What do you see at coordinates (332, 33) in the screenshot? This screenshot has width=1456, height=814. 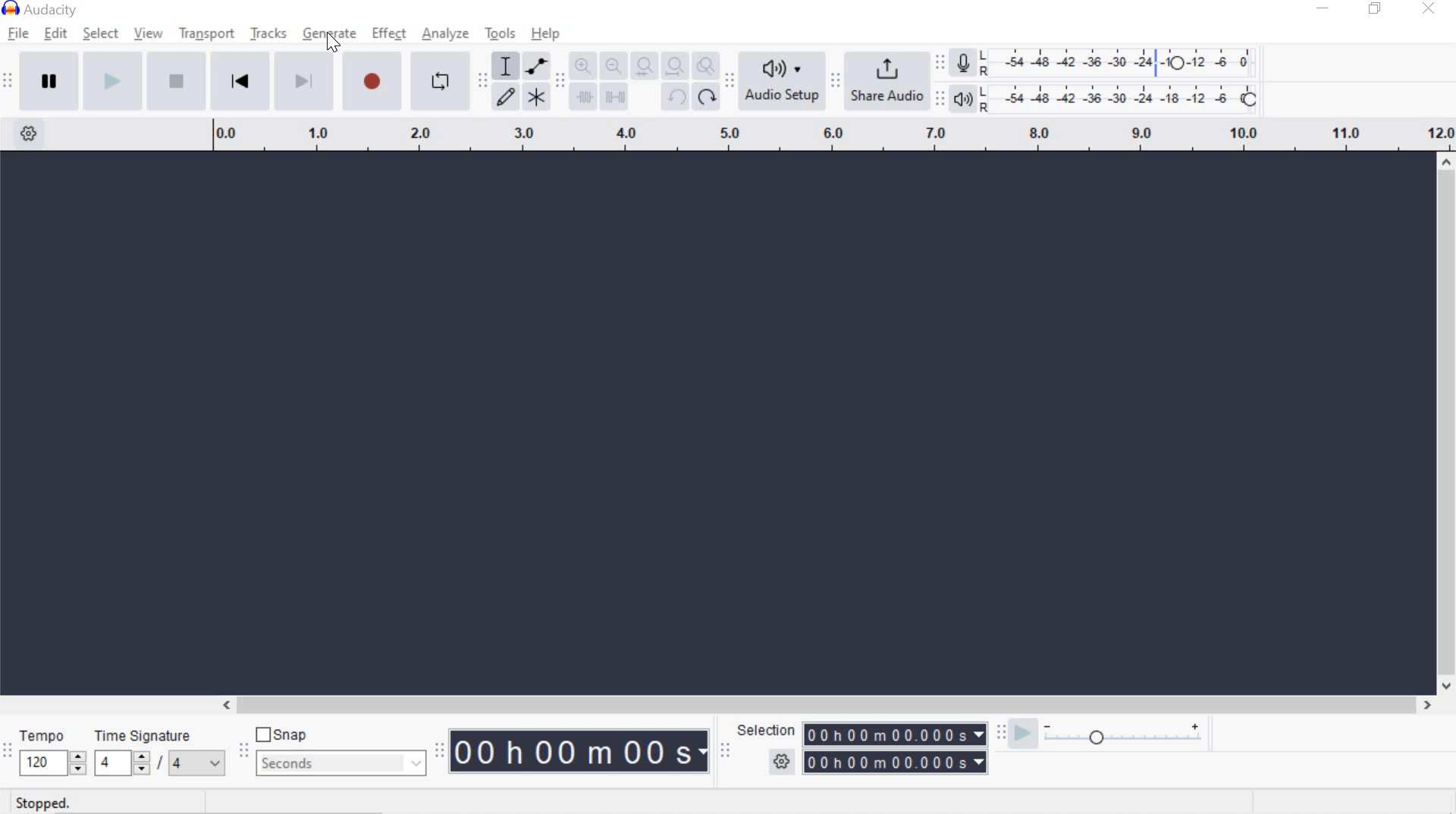 I see `generate` at bounding box center [332, 33].